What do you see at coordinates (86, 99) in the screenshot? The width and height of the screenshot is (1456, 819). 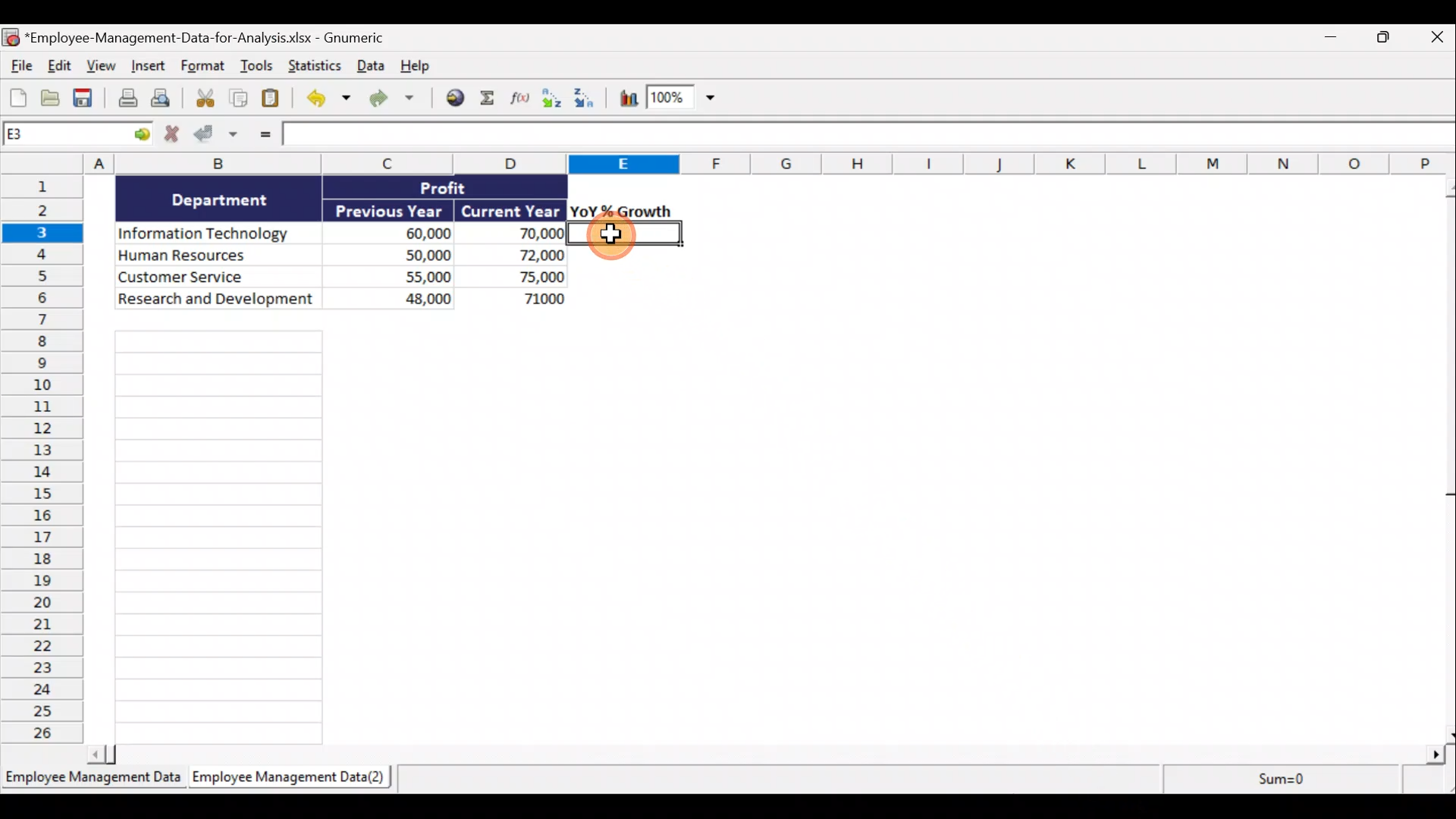 I see `Save the current workbook` at bounding box center [86, 99].